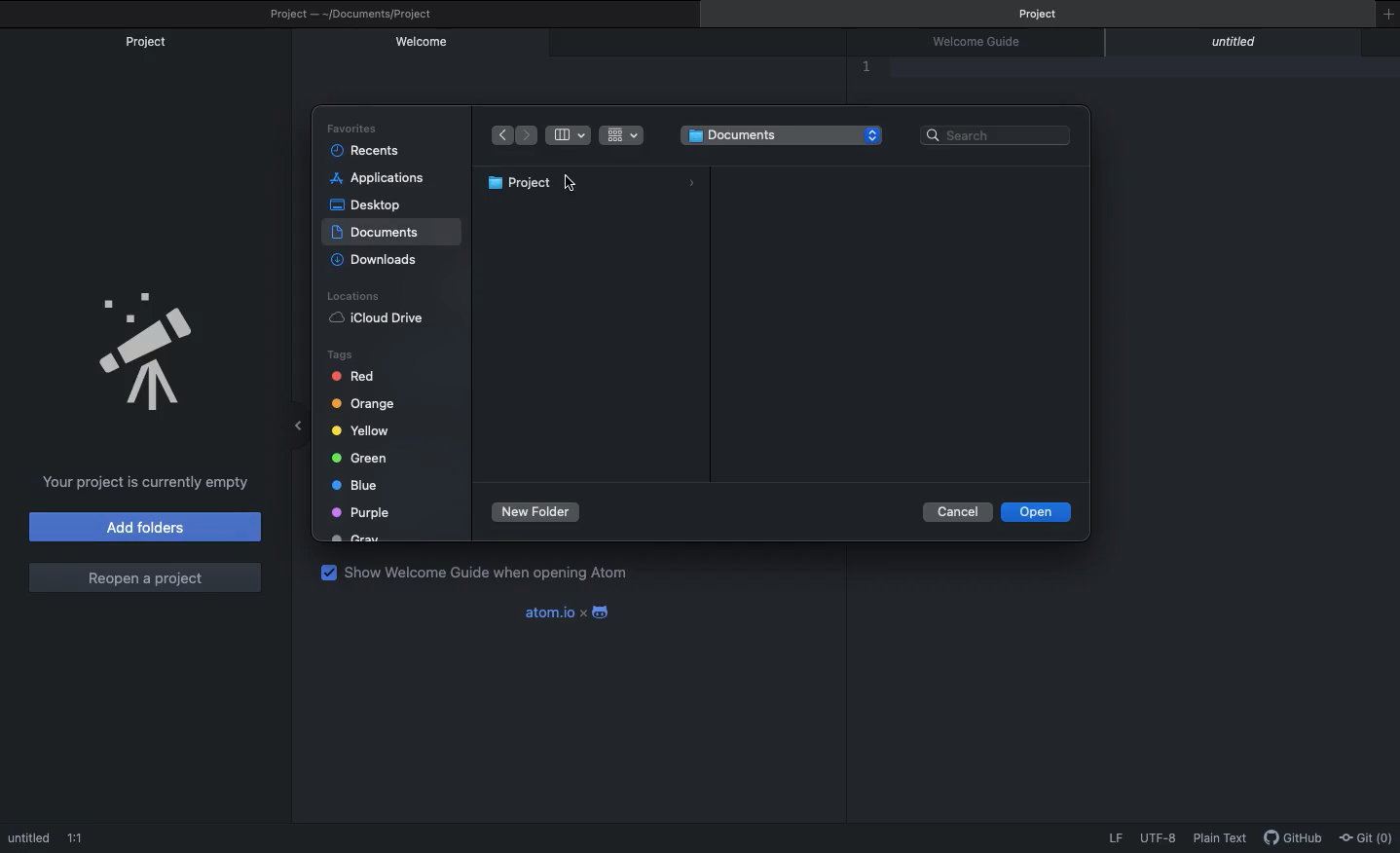 The width and height of the screenshot is (1400, 853). I want to click on icon, so click(692, 183).